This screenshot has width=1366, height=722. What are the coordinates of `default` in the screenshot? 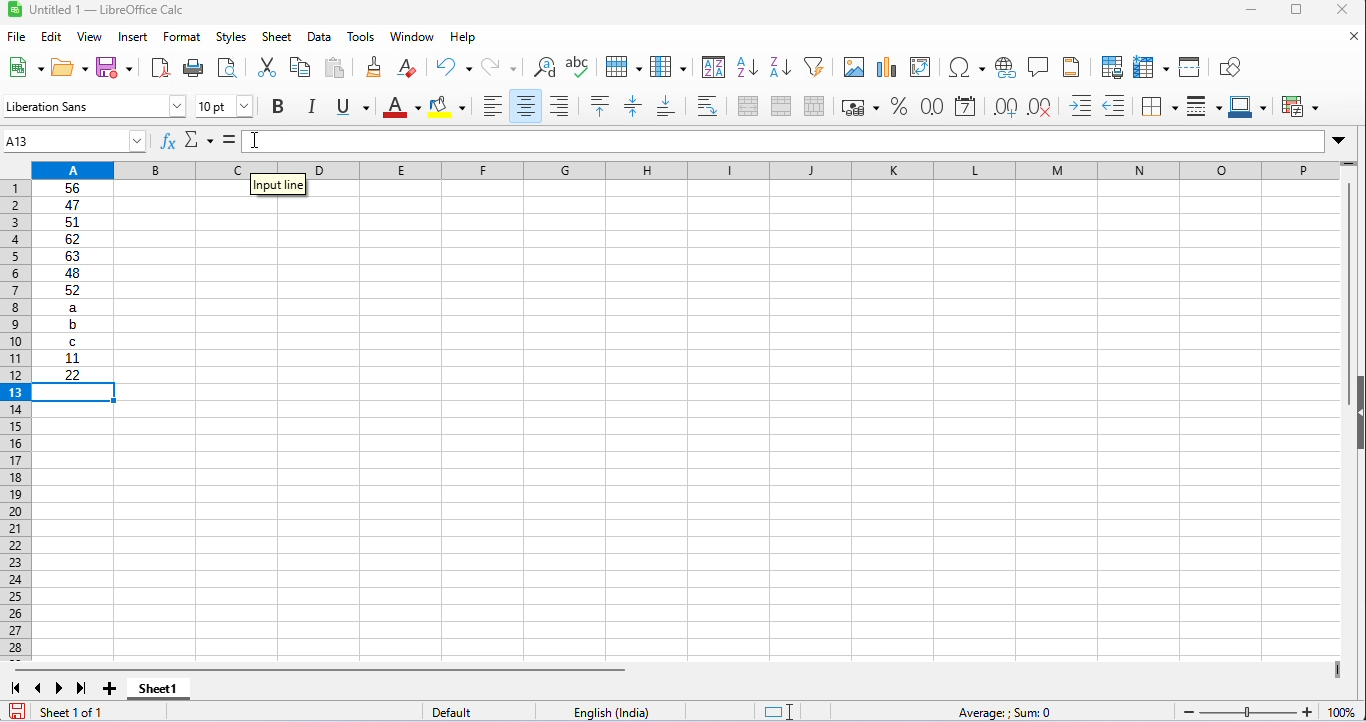 It's located at (478, 711).